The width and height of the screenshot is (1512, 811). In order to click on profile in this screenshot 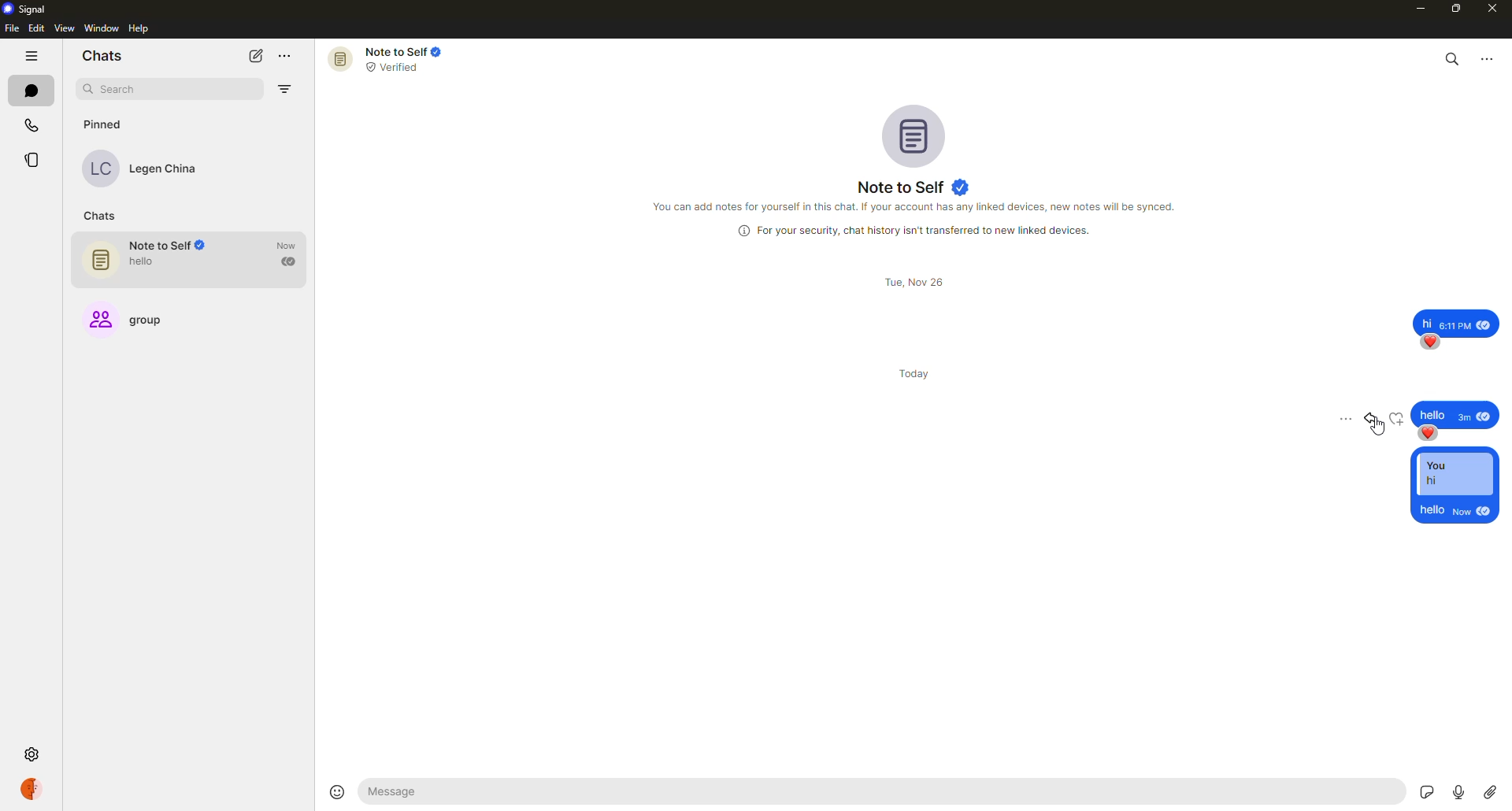, I will do `click(38, 788)`.